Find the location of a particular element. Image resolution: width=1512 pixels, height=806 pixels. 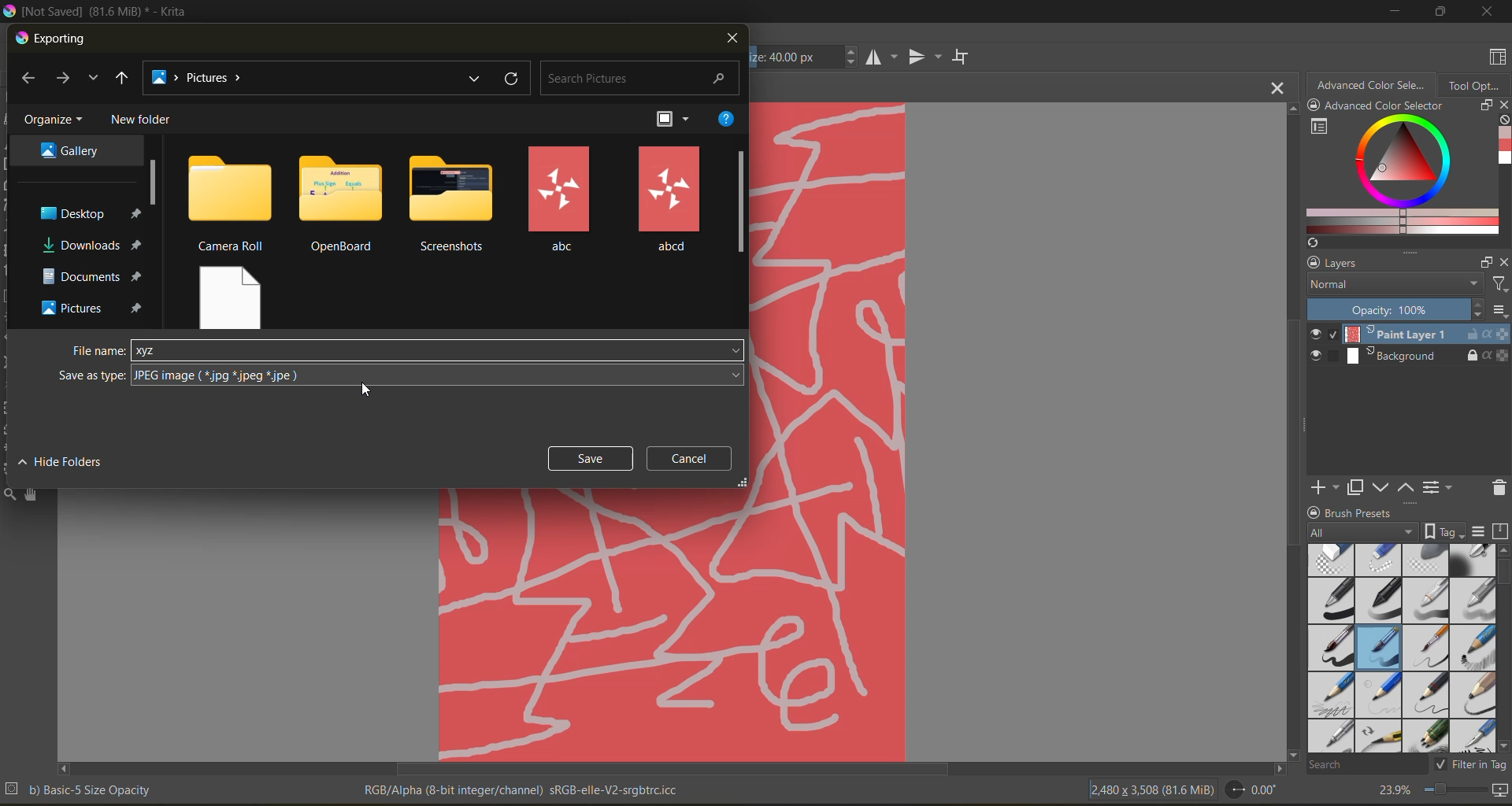

filename is located at coordinates (99, 351).